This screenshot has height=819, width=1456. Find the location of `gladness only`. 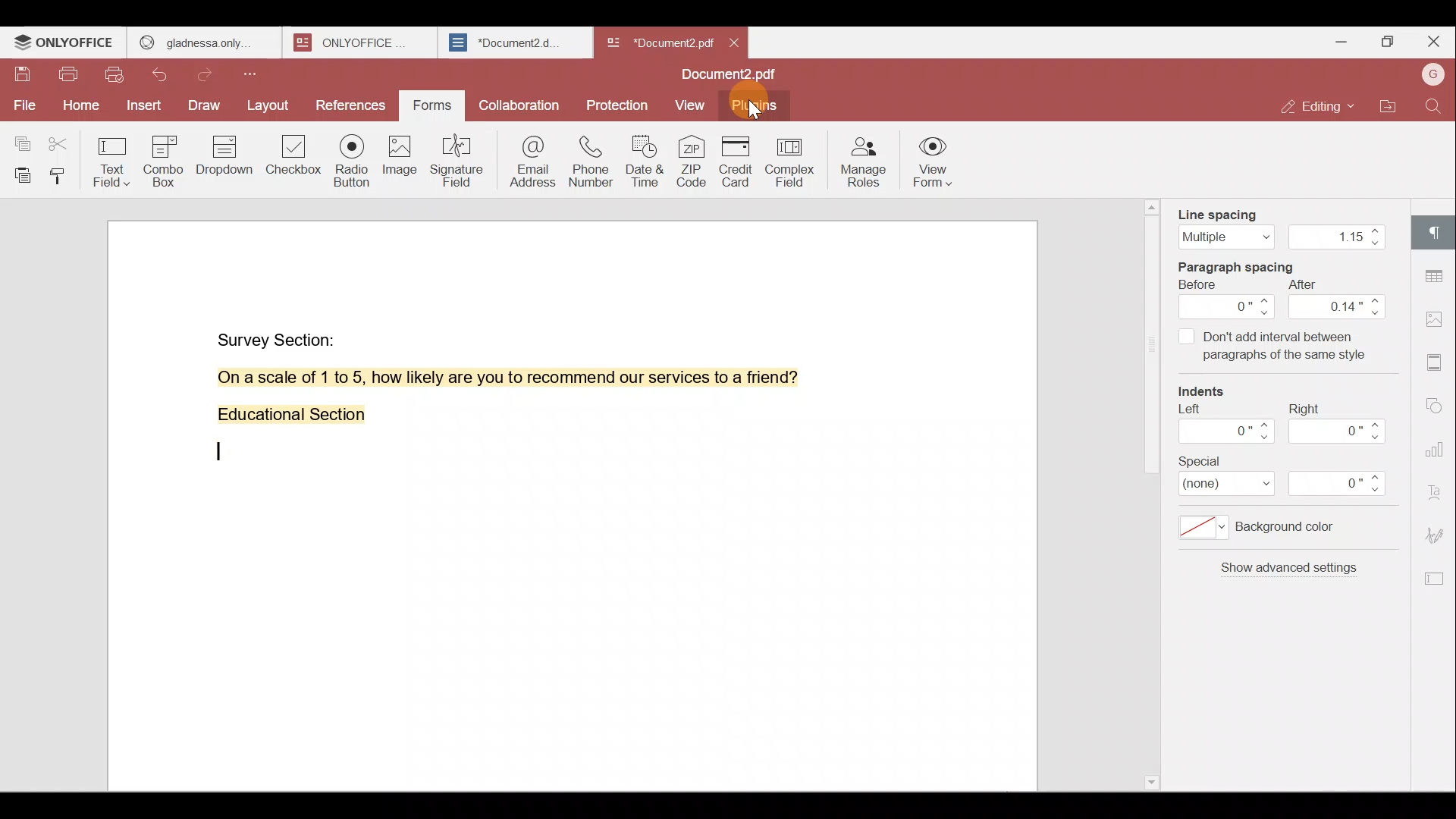

gladness only is located at coordinates (204, 42).